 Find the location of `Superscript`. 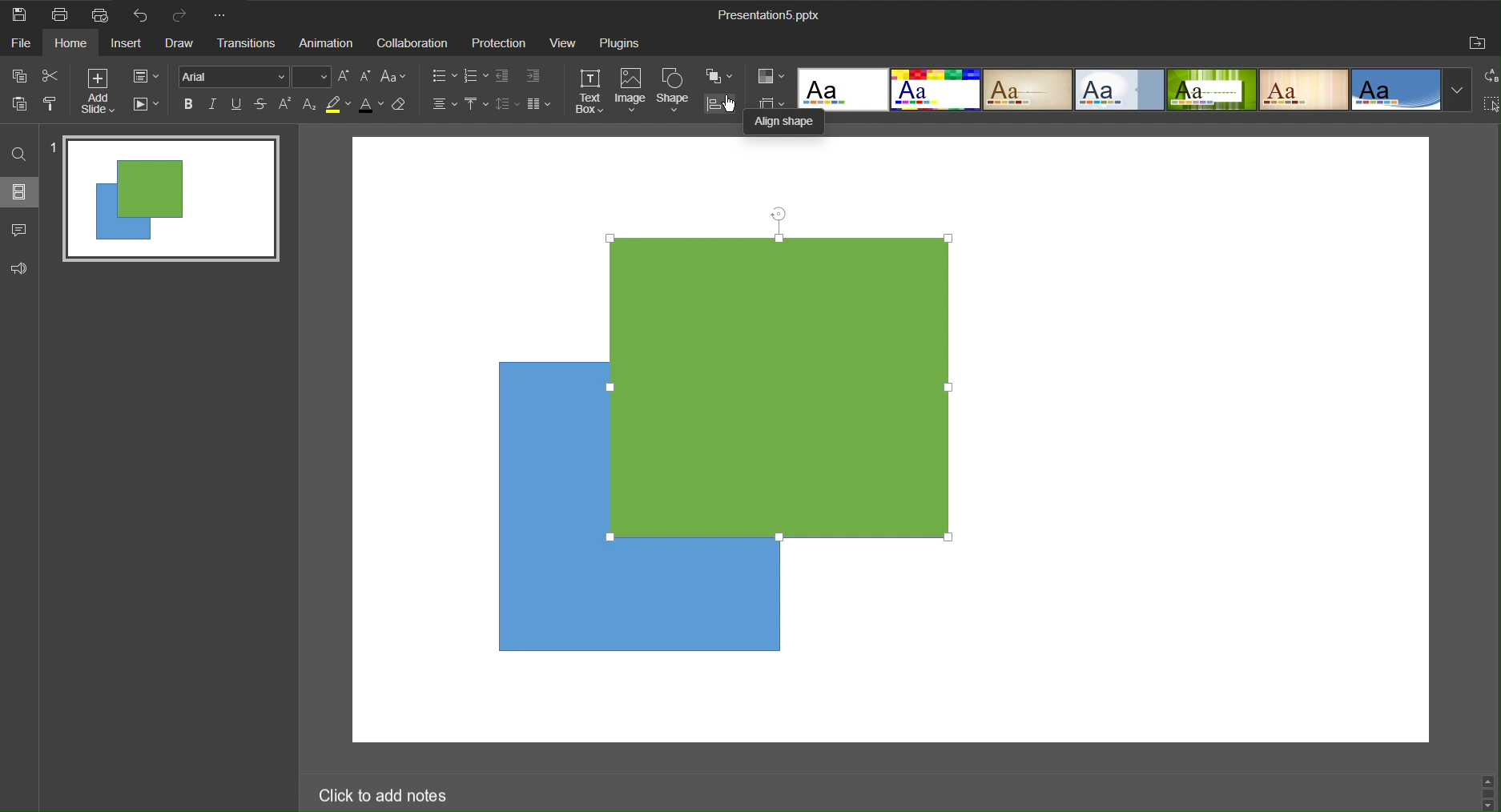

Superscript is located at coordinates (284, 107).